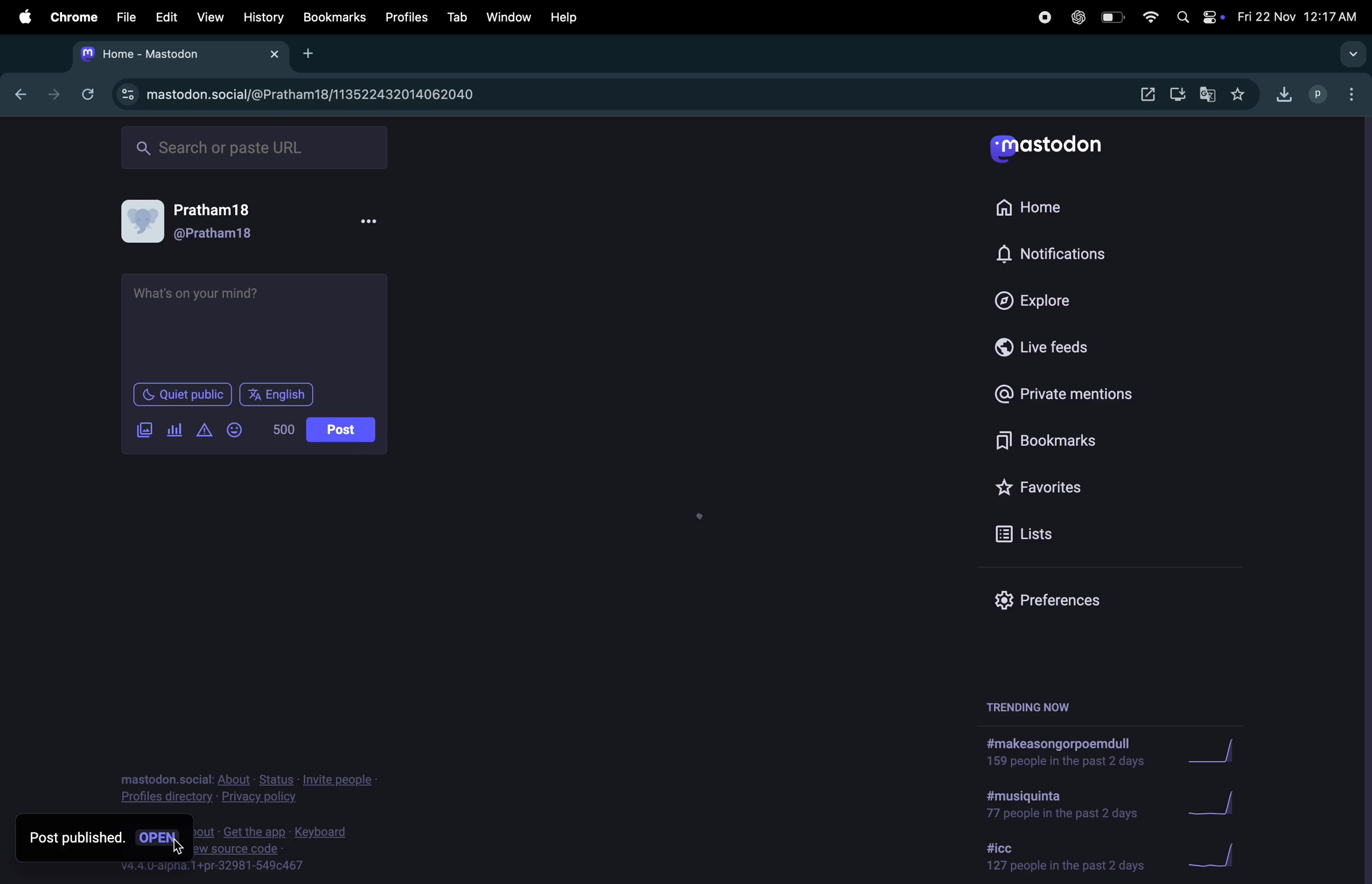 The width and height of the screenshot is (1372, 884). Describe the element at coordinates (166, 17) in the screenshot. I see `edit` at that location.